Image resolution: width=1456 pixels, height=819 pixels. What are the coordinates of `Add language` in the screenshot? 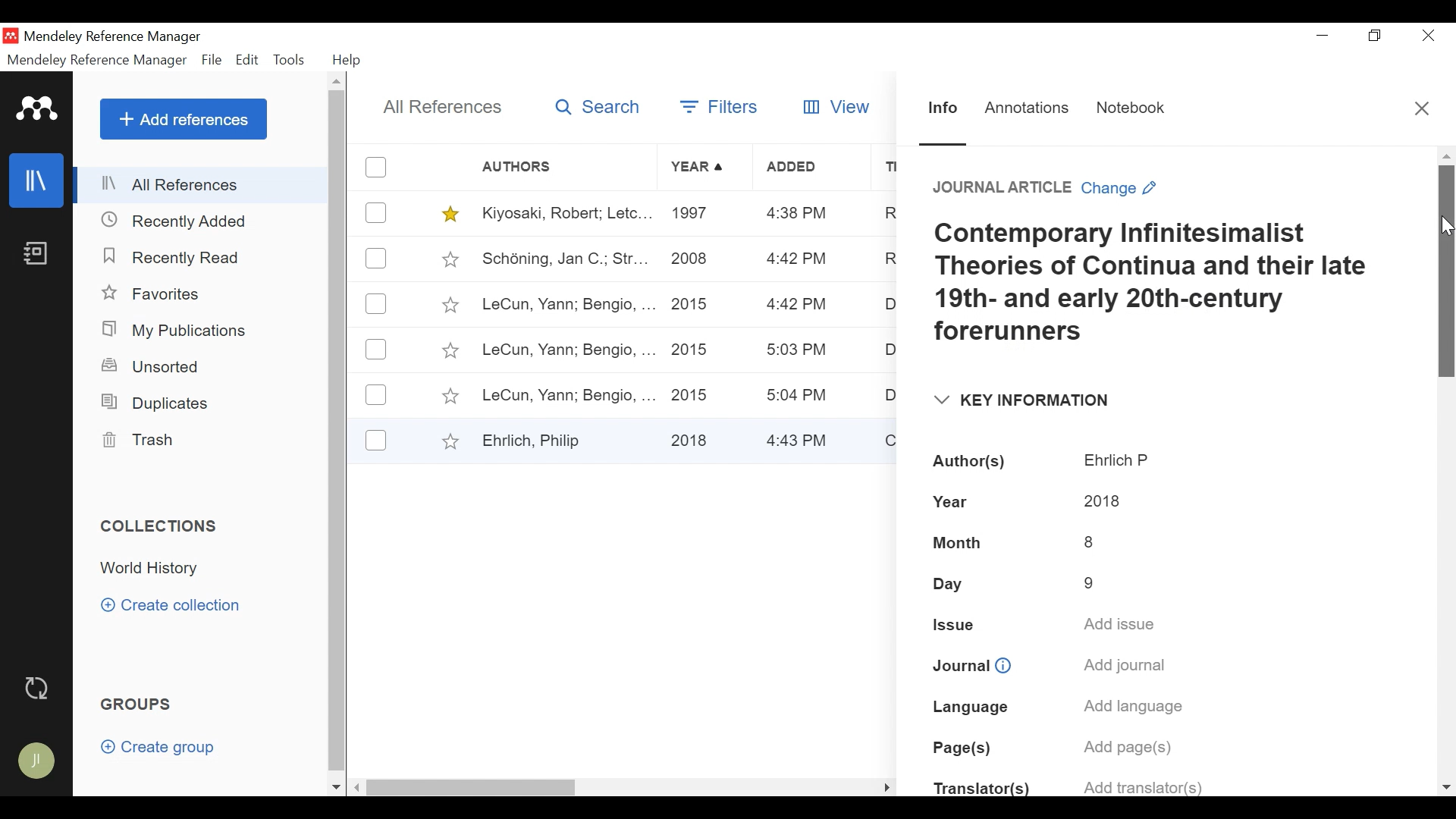 It's located at (1132, 709).